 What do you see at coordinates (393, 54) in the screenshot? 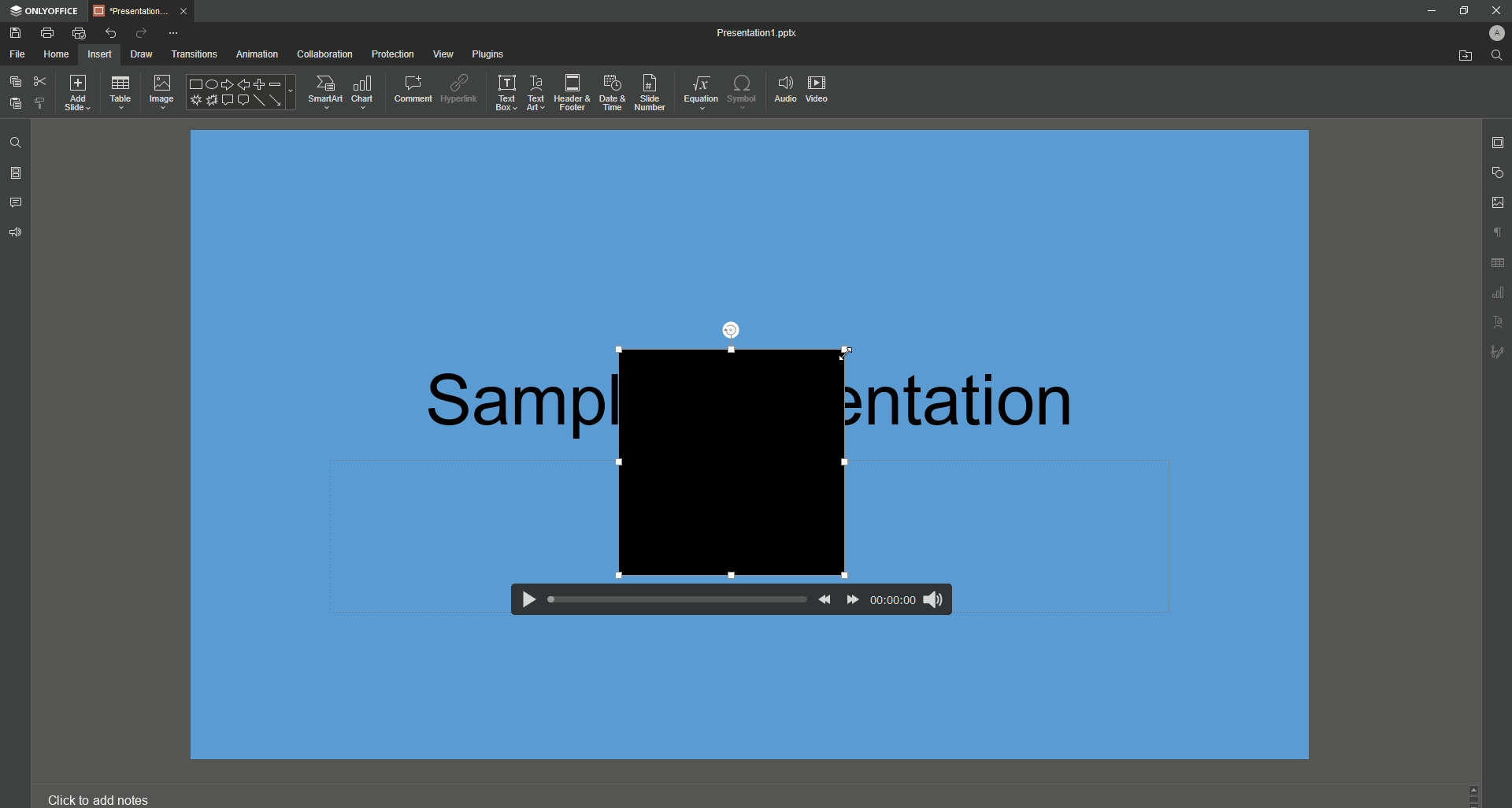
I see `Protection` at bounding box center [393, 54].